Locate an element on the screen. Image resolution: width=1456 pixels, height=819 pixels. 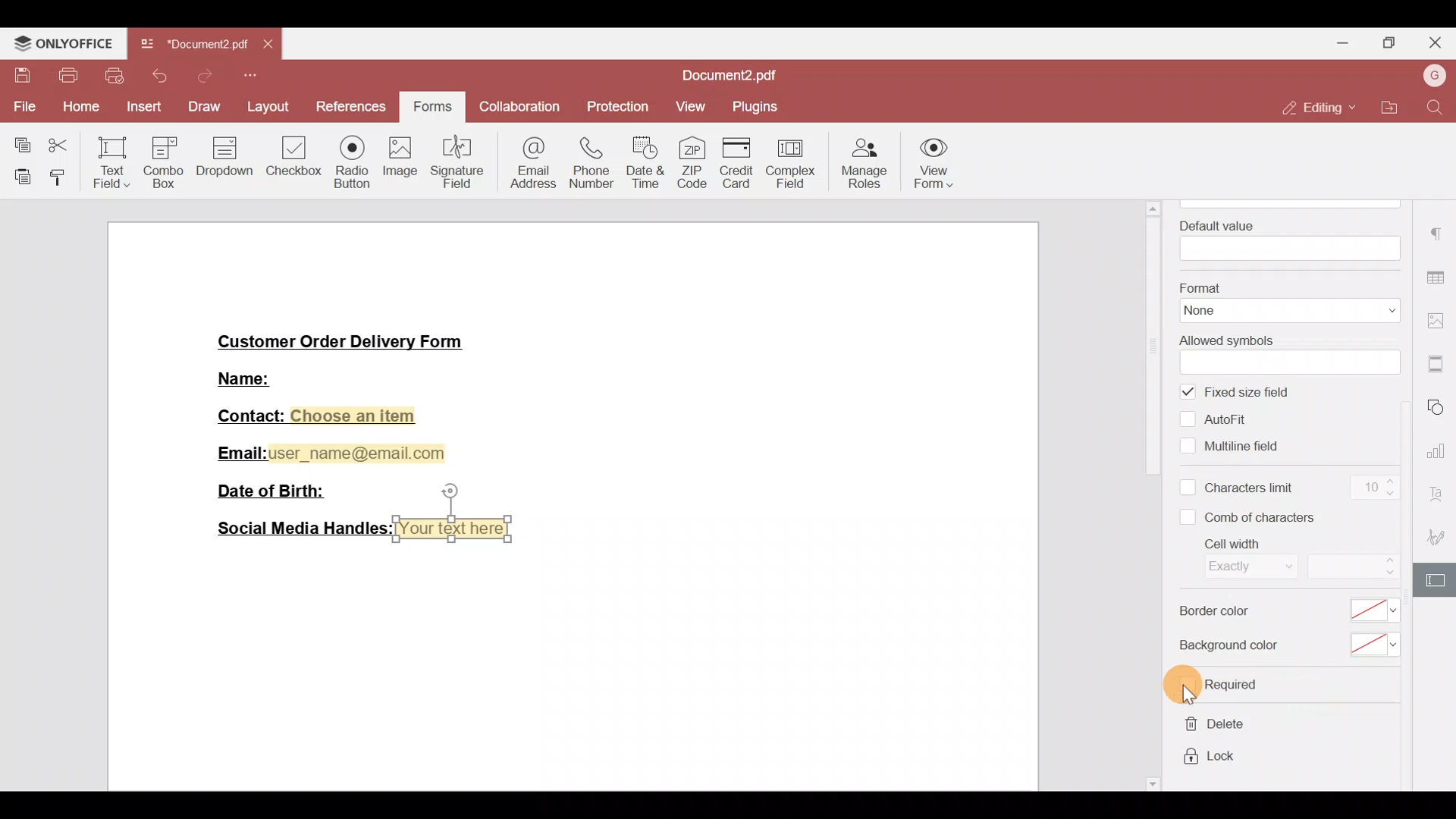
Email:user_name@email.com is located at coordinates (332, 450).